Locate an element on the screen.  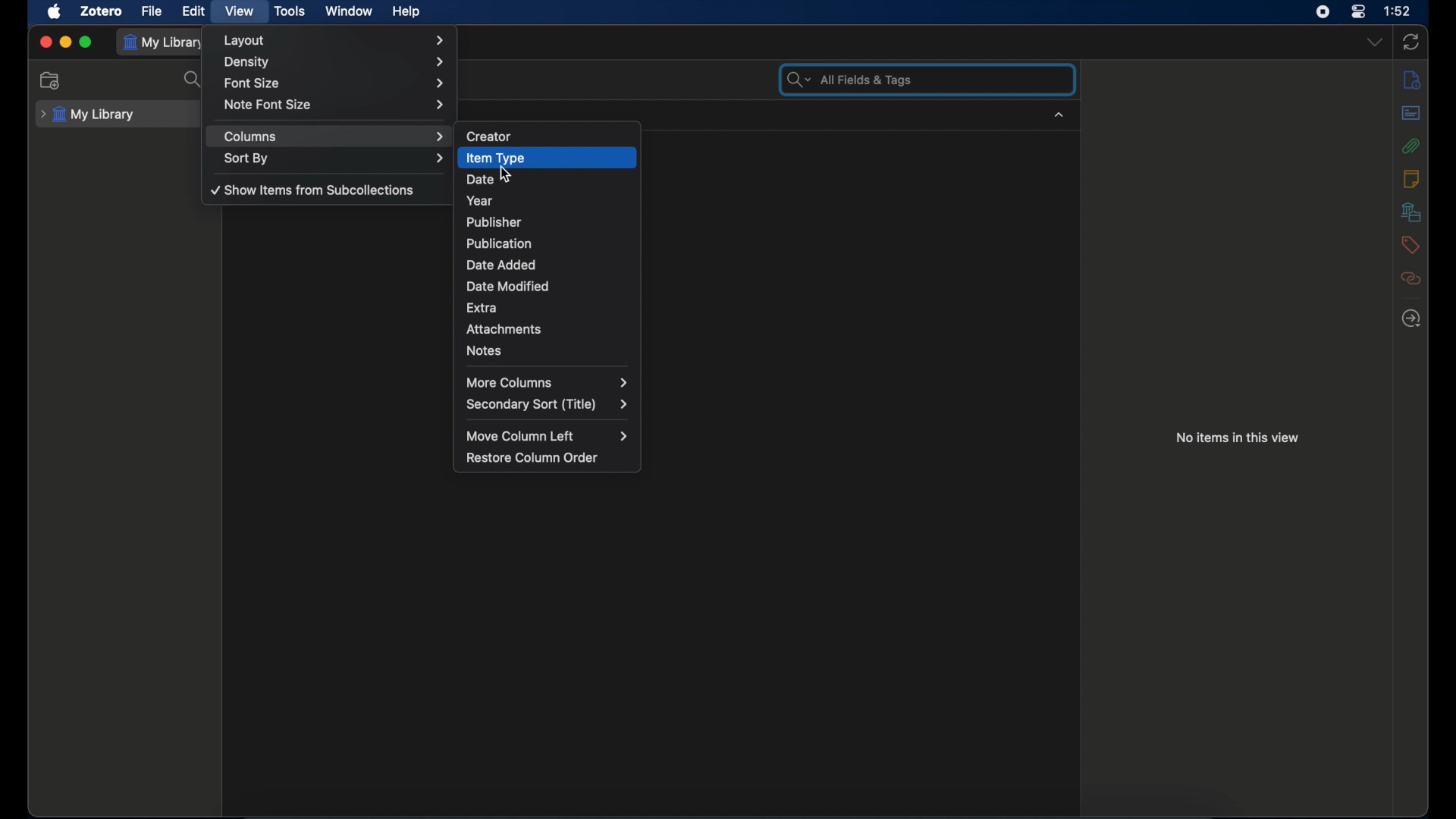
more columns is located at coordinates (548, 382).